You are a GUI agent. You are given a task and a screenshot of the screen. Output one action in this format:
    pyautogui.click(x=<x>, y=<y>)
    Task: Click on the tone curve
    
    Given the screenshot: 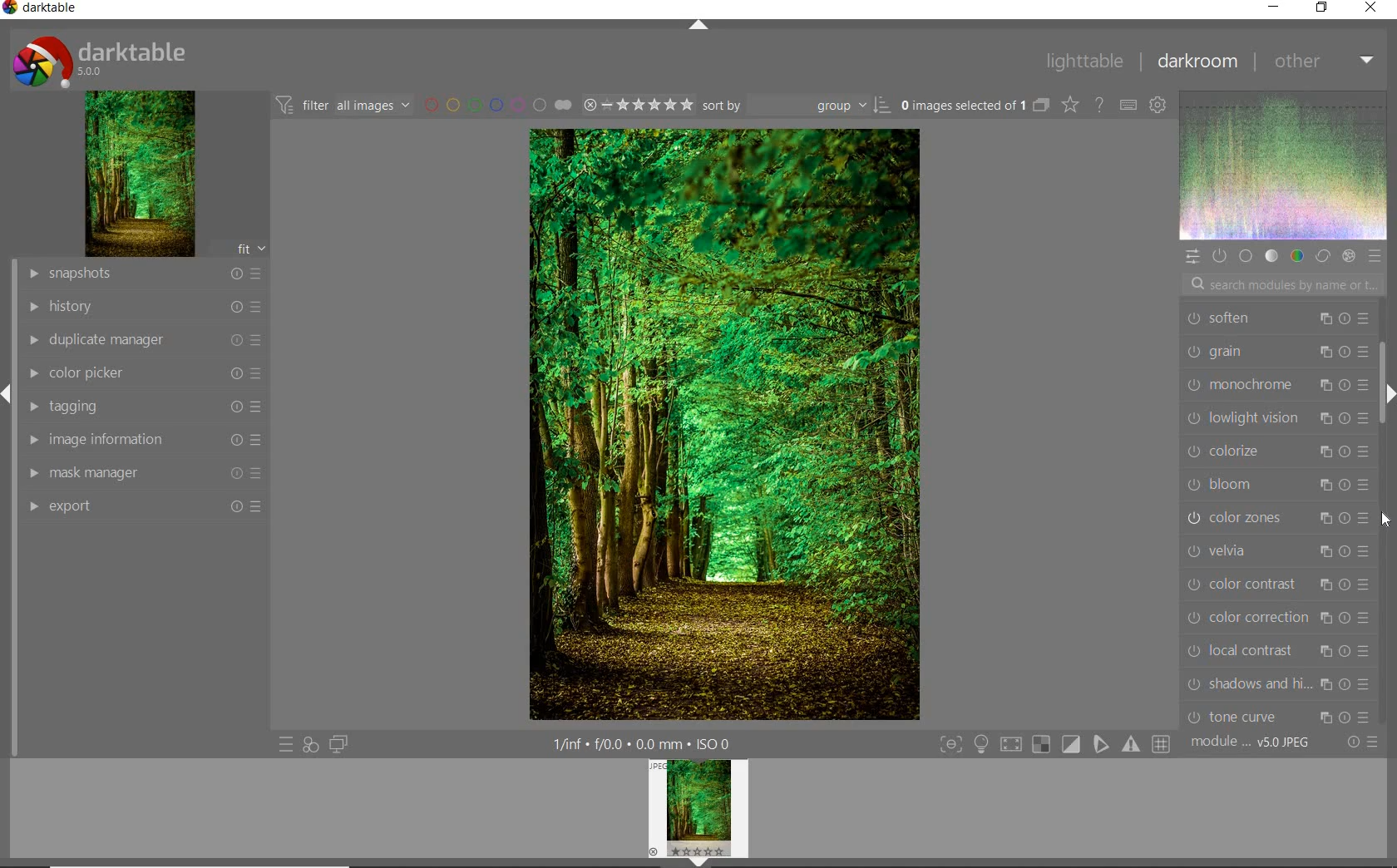 What is the action you would take?
    pyautogui.click(x=1281, y=718)
    